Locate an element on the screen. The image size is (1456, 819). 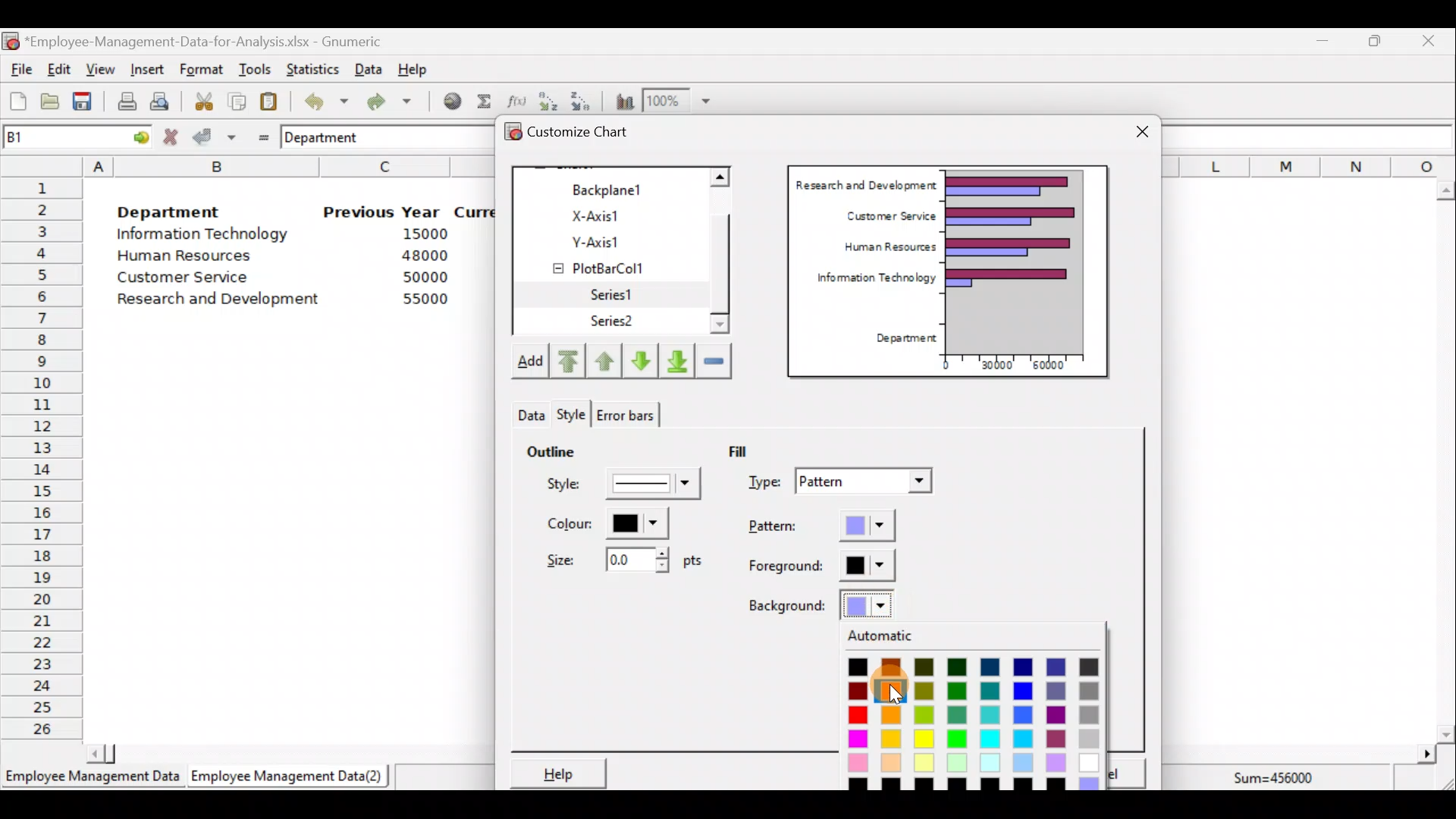
Department is located at coordinates (331, 136).